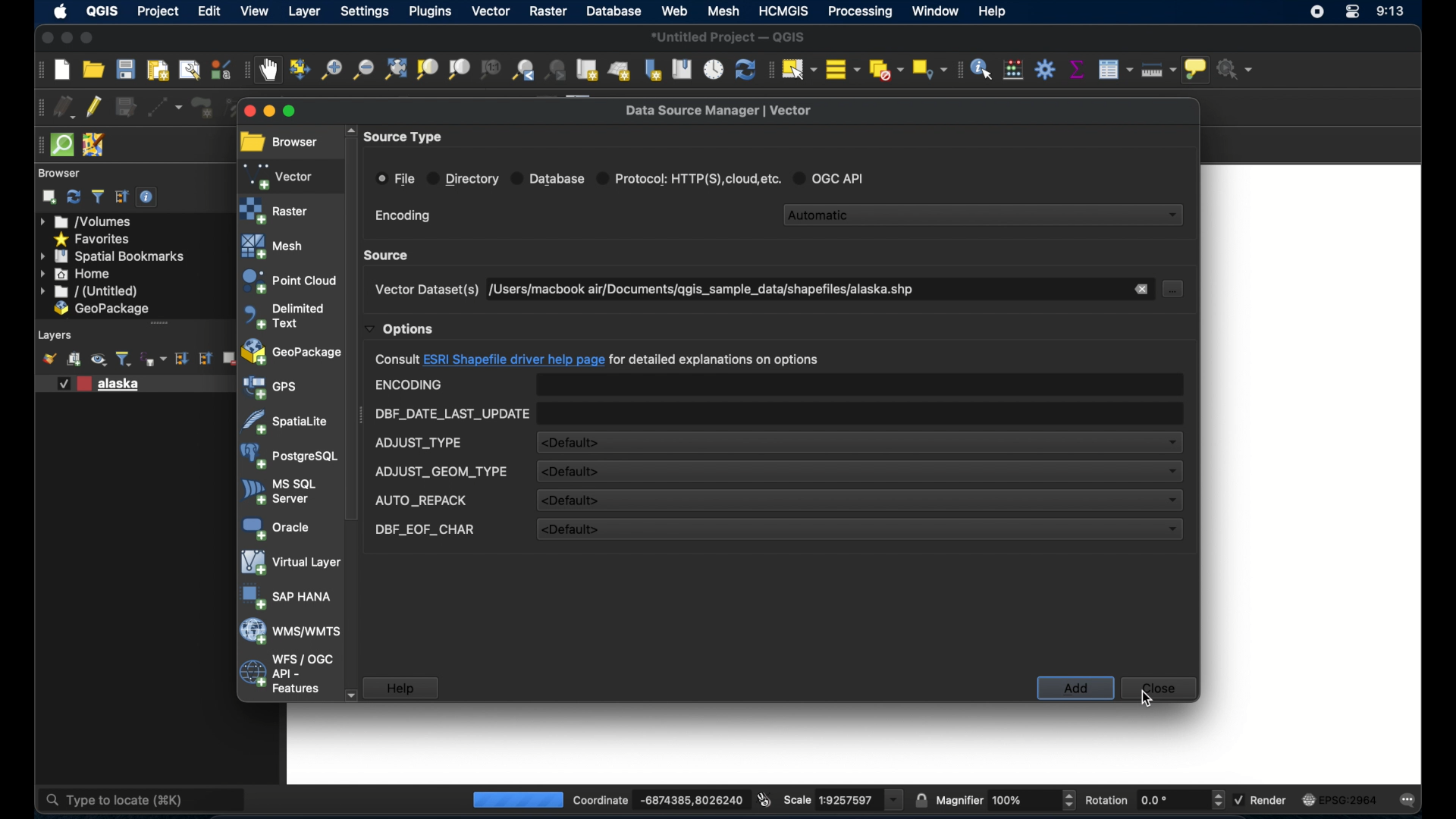 This screenshot has width=1456, height=819. Describe the element at coordinates (1117, 69) in the screenshot. I see `open attribute table` at that location.